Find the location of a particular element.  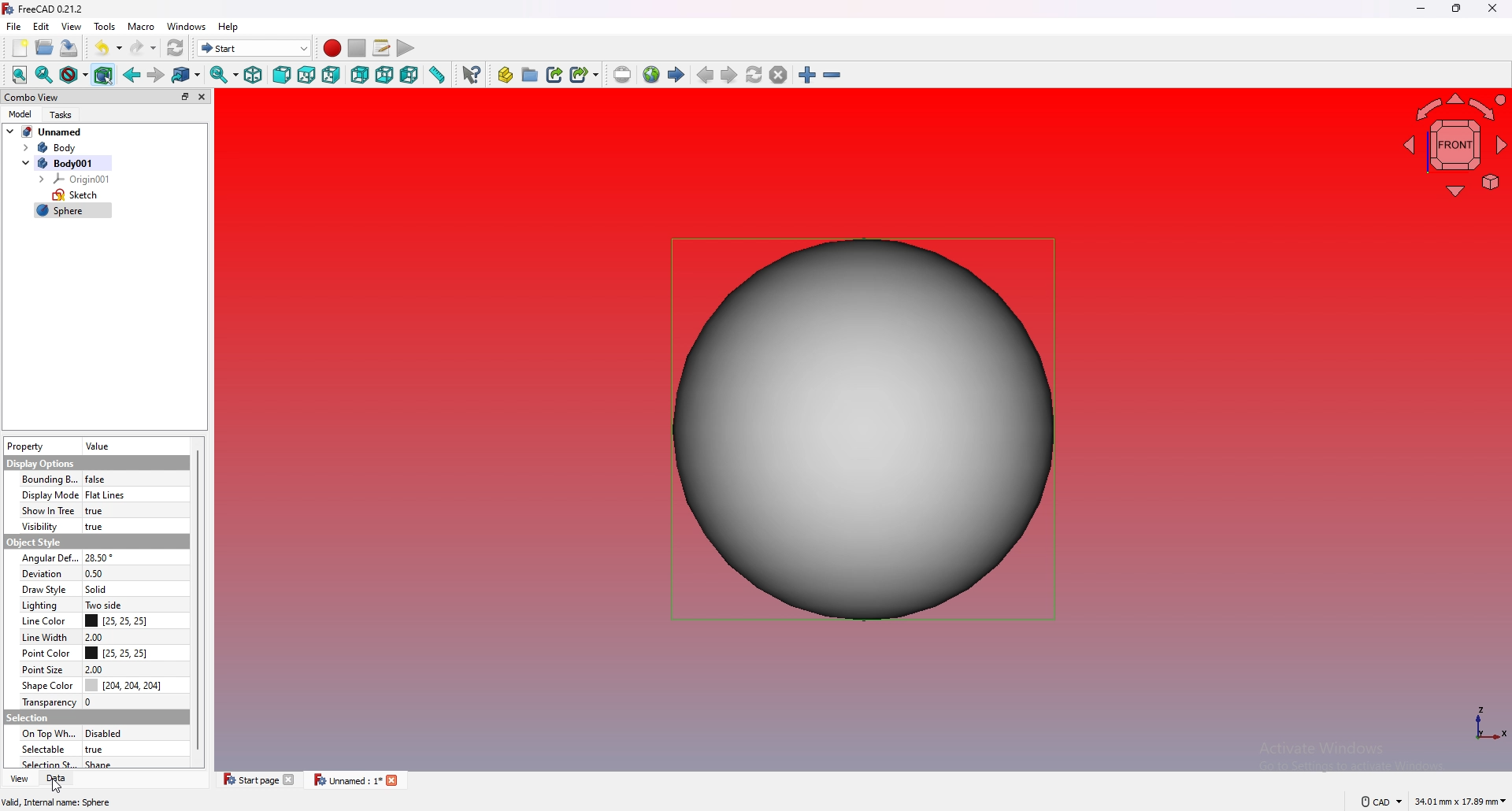

deviation is located at coordinates (94, 572).